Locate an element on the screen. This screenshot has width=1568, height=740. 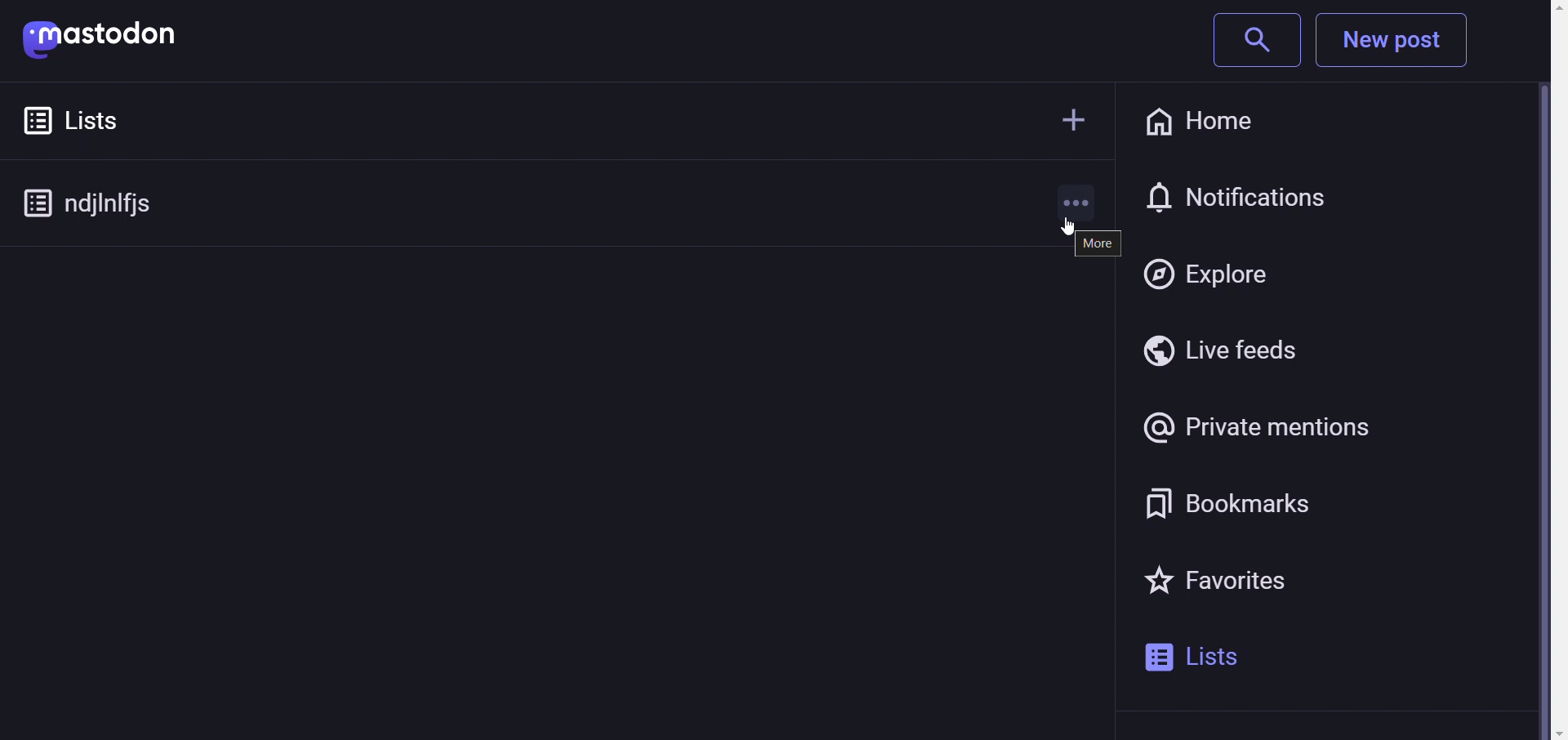
Lists is located at coordinates (109, 118).